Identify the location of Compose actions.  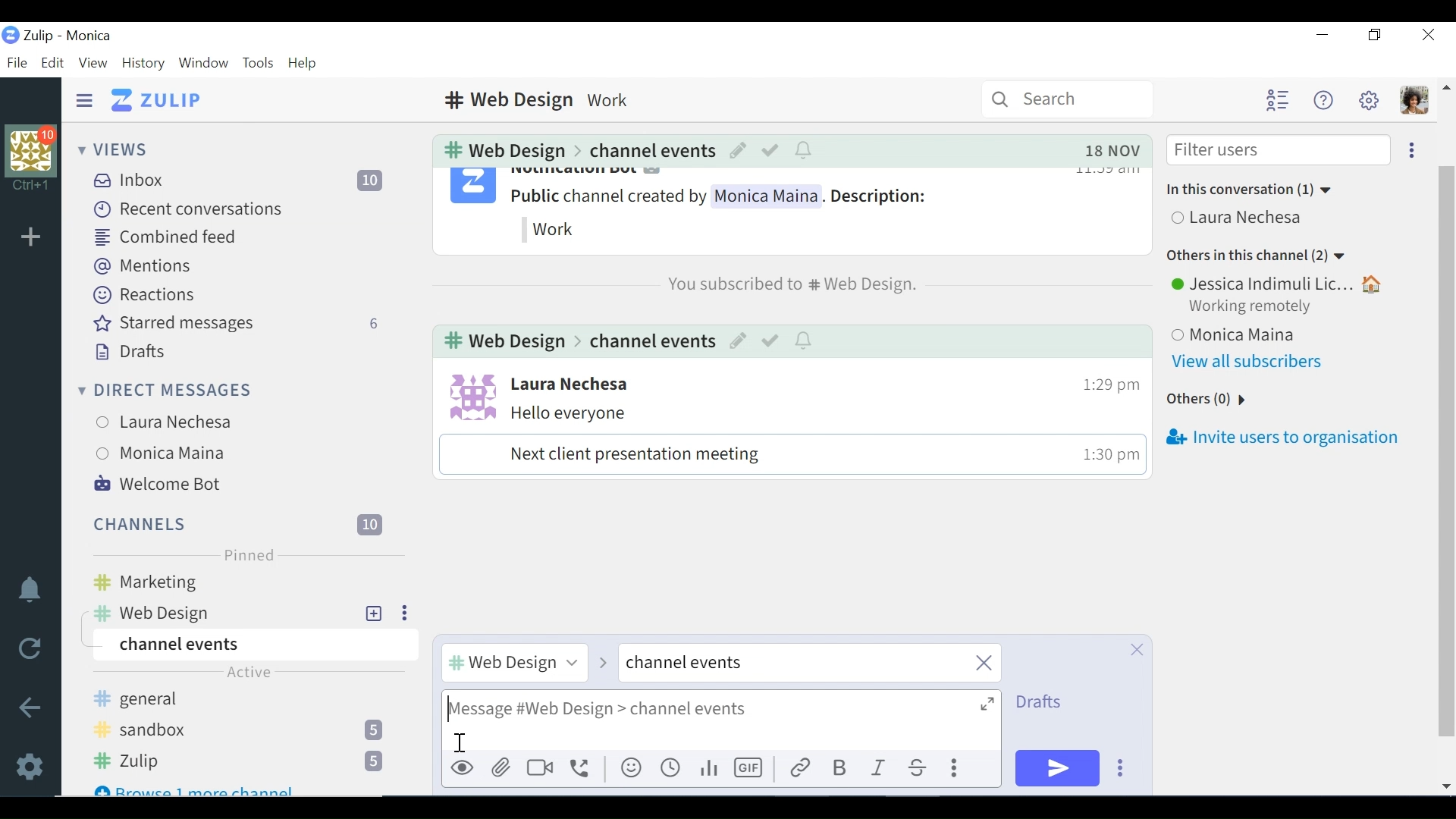
(957, 769).